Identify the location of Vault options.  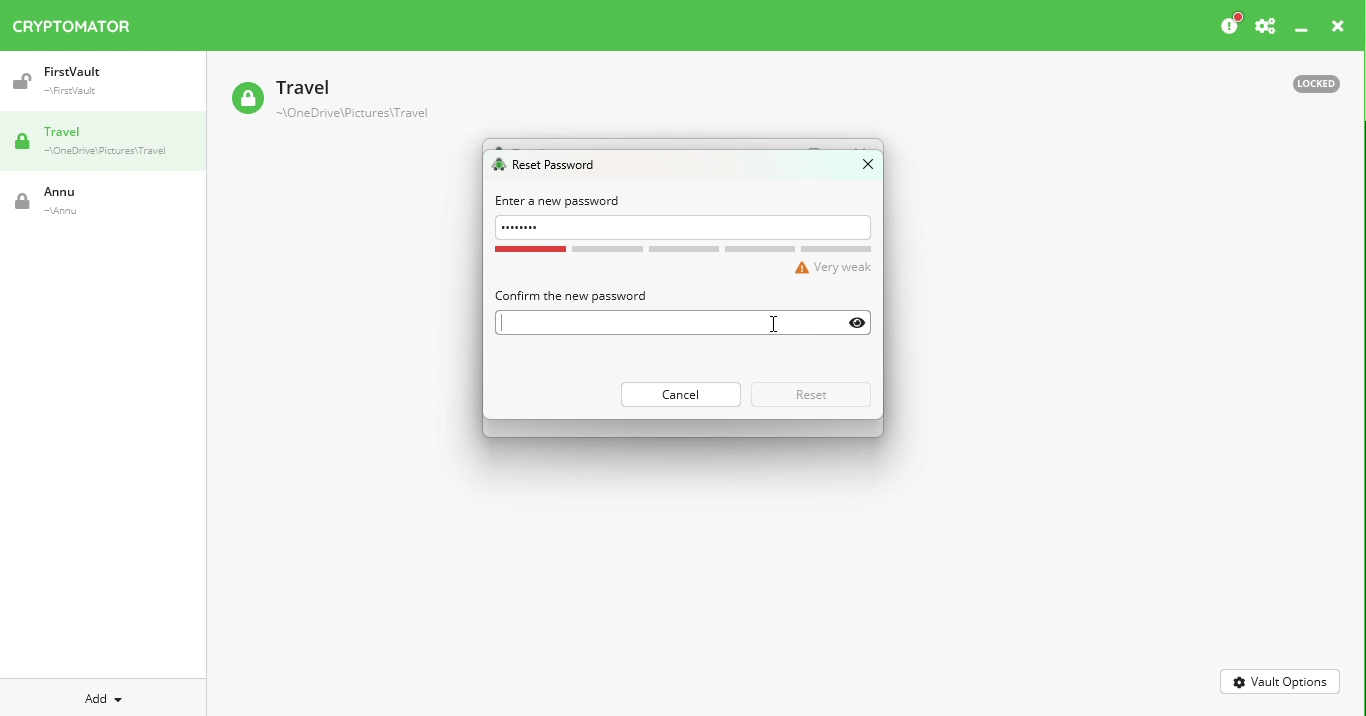
(1281, 680).